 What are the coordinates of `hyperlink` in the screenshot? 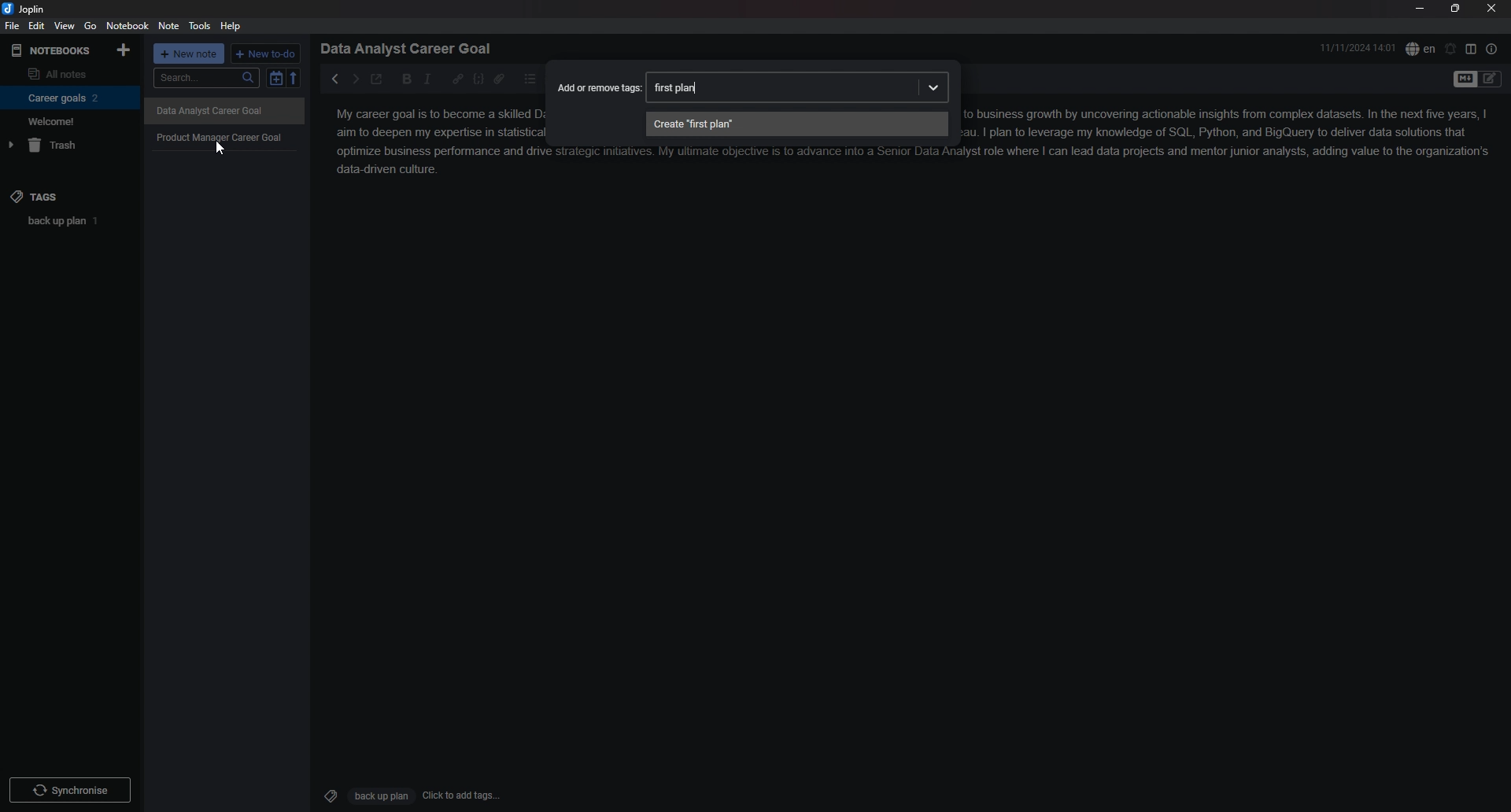 It's located at (457, 79).